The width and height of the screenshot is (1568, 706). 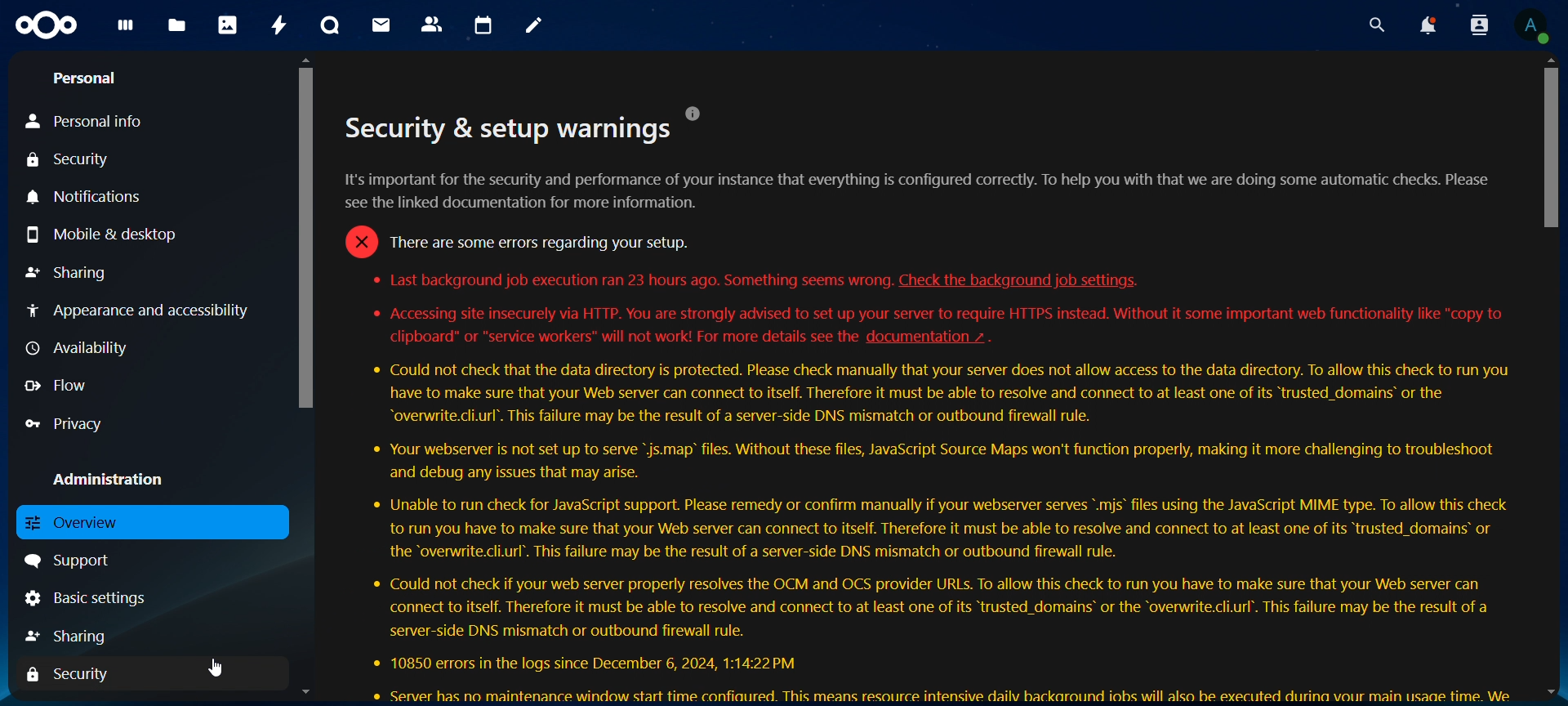 What do you see at coordinates (65, 425) in the screenshot?
I see `privacy` at bounding box center [65, 425].